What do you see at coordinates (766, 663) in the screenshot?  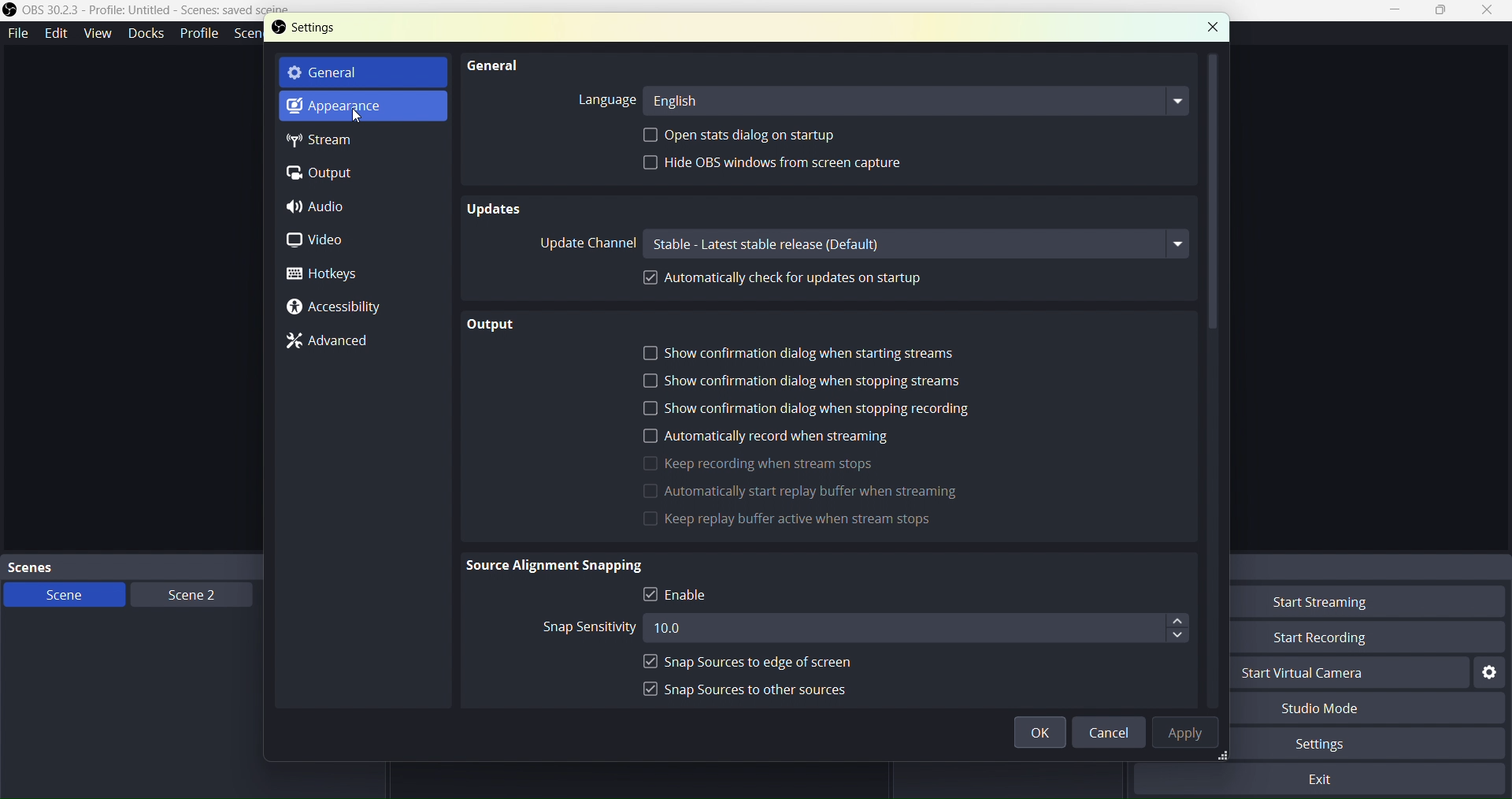 I see `Snap SOurces  to edge of screen` at bounding box center [766, 663].